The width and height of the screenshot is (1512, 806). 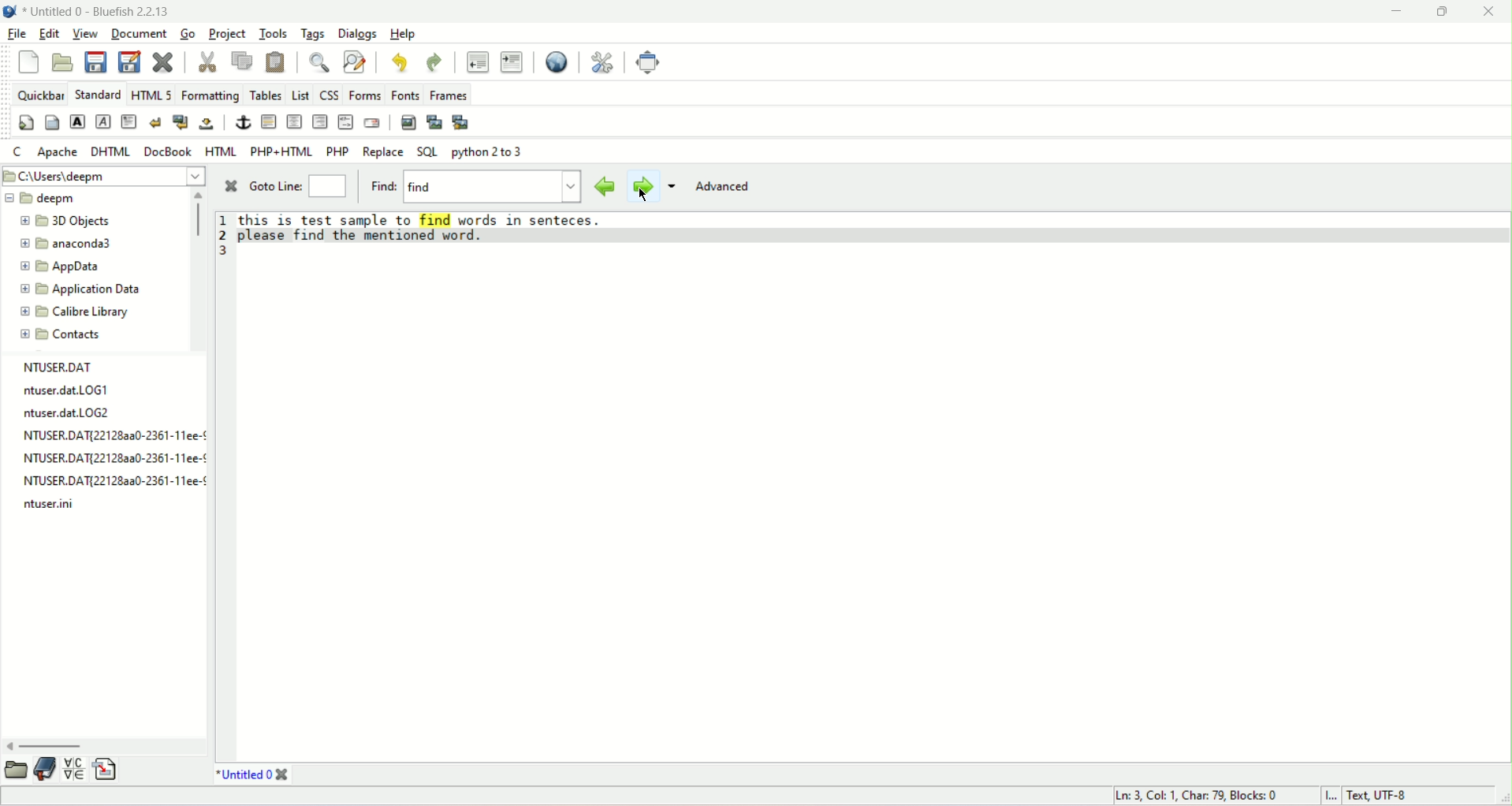 What do you see at coordinates (206, 59) in the screenshot?
I see `cut` at bounding box center [206, 59].